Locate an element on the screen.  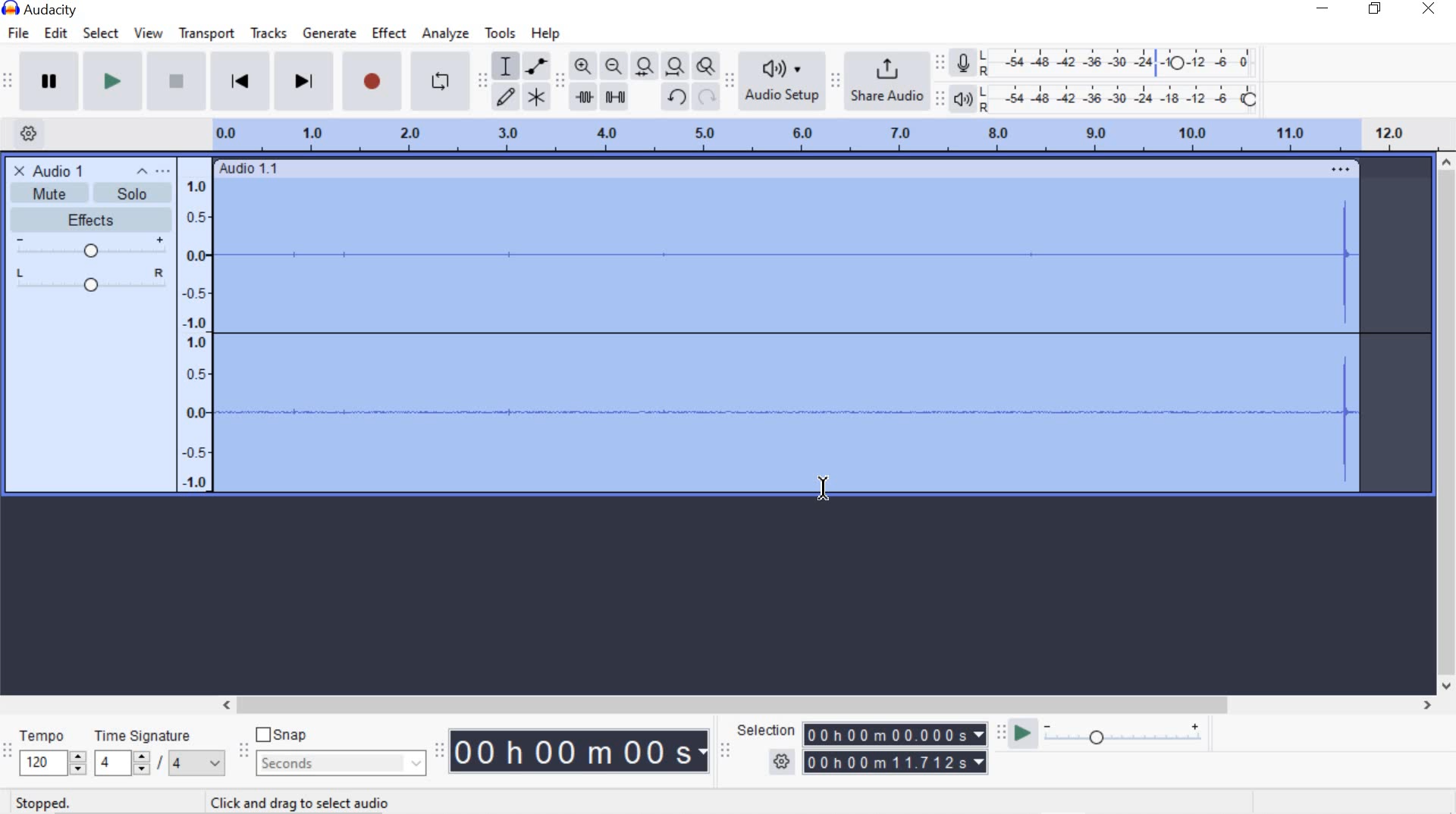
Zoom Toggle is located at coordinates (707, 68).